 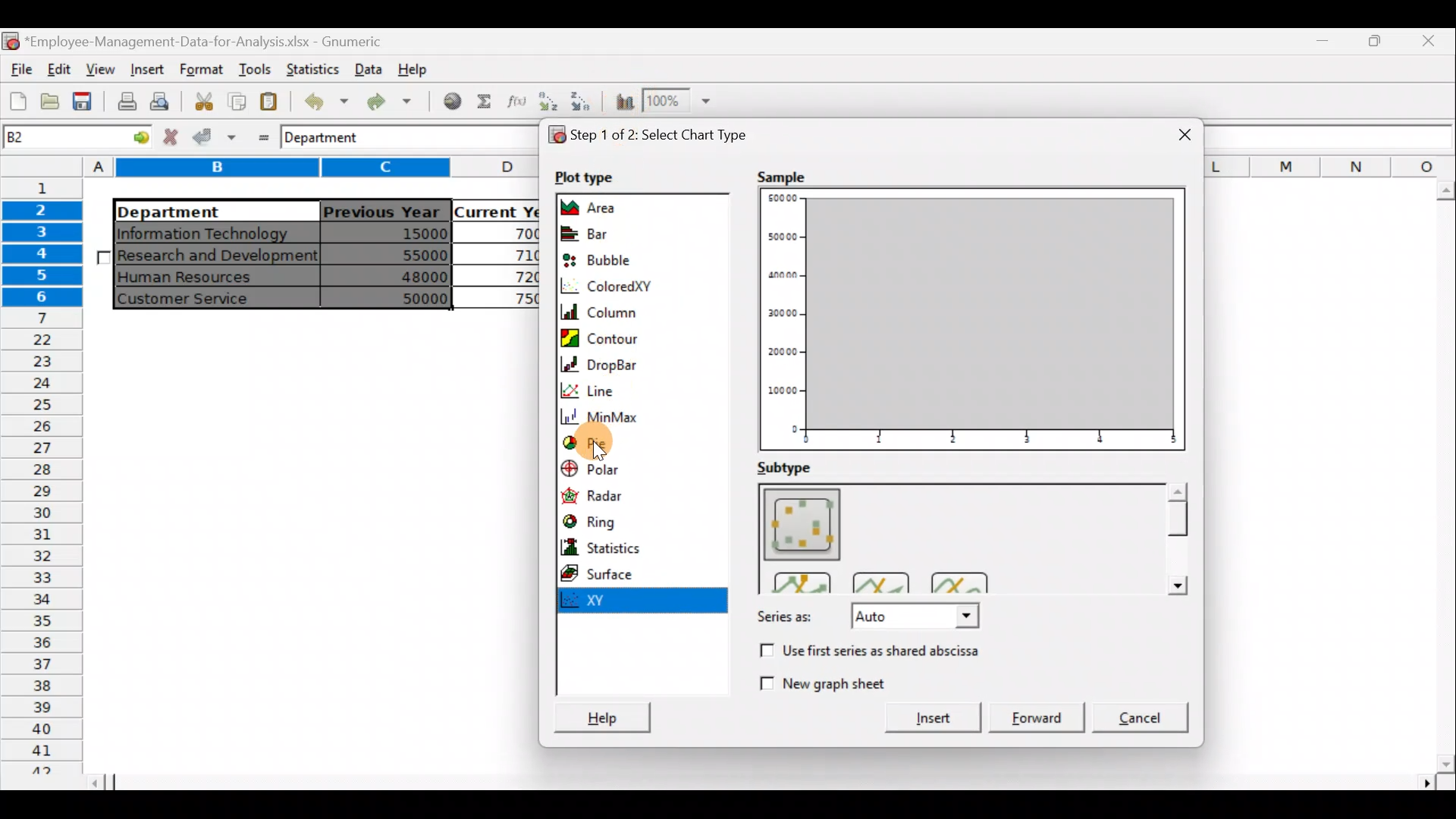 What do you see at coordinates (640, 337) in the screenshot?
I see `Contour` at bounding box center [640, 337].